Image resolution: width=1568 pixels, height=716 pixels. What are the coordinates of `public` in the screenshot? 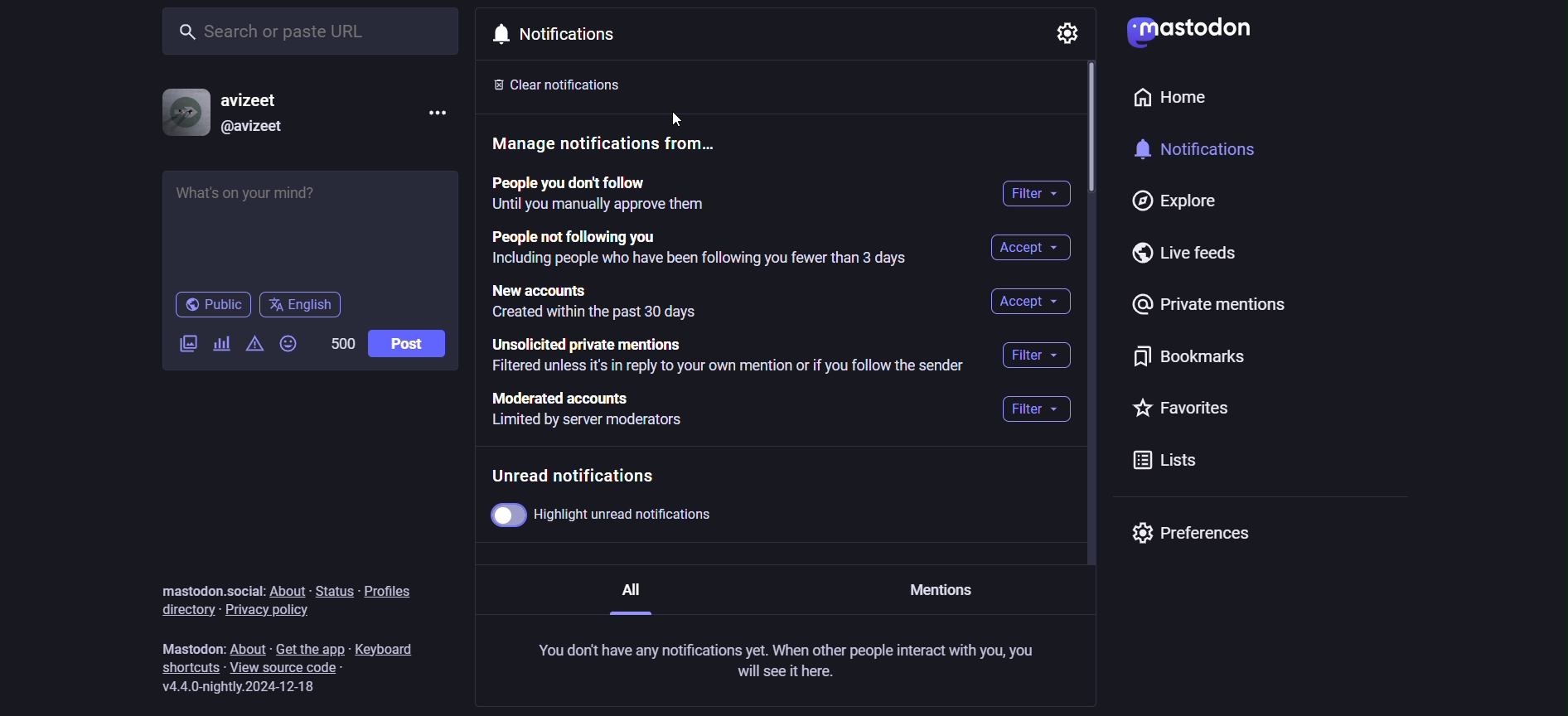 It's located at (211, 307).